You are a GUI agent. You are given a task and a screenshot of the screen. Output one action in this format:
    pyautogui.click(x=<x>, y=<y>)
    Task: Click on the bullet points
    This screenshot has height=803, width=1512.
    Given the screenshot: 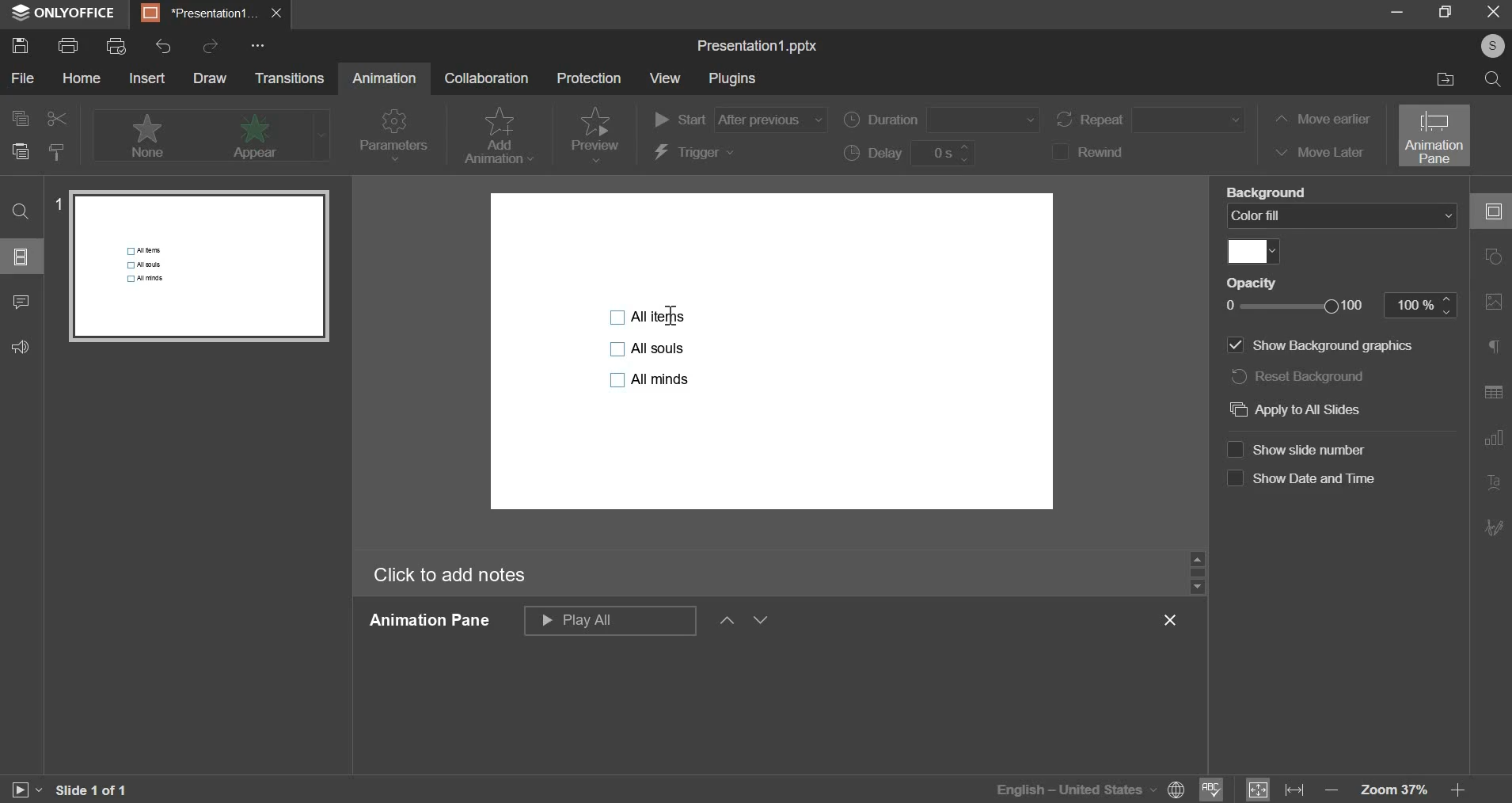 What is the action you would take?
    pyautogui.click(x=648, y=349)
    